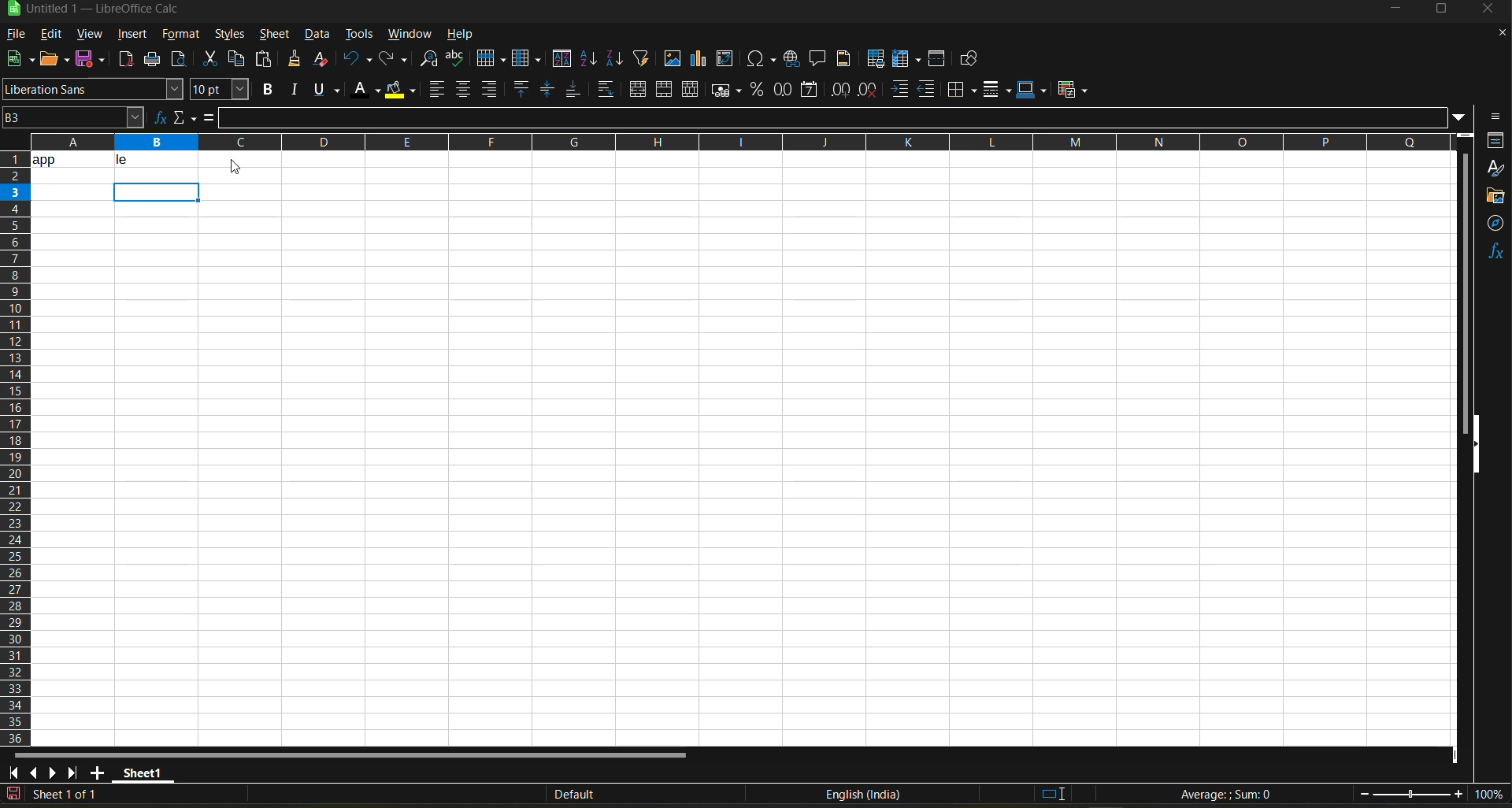 The height and width of the screenshot is (808, 1512). Describe the element at coordinates (463, 34) in the screenshot. I see `help` at that location.